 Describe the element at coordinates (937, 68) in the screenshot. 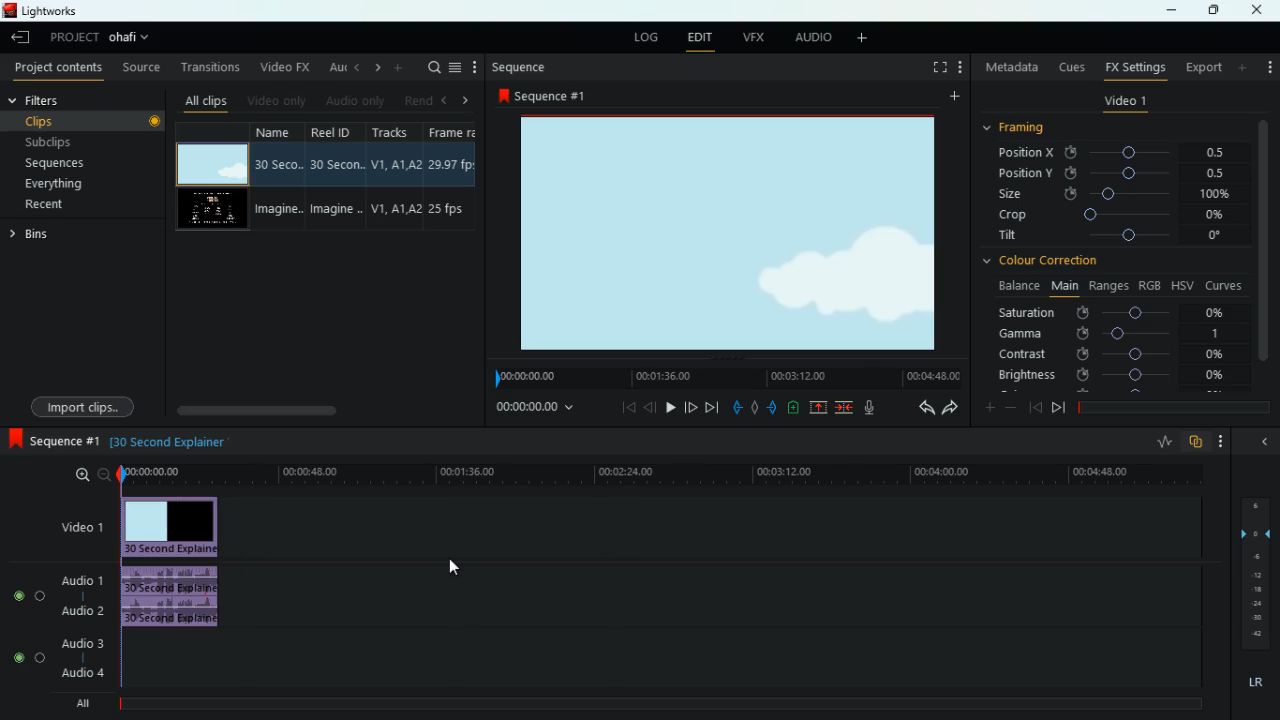

I see `full screen` at that location.